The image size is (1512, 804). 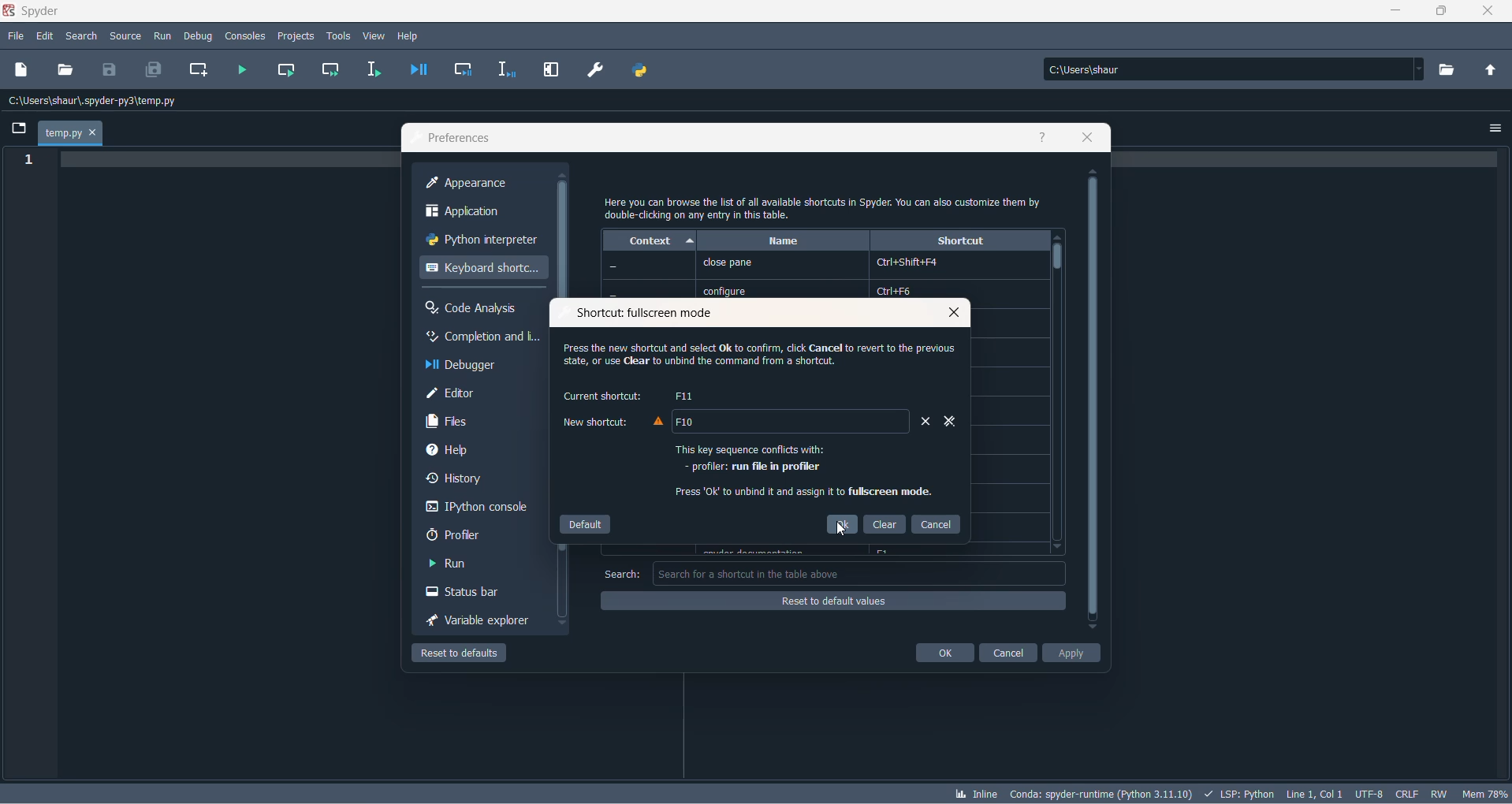 I want to click on source, so click(x=125, y=38).